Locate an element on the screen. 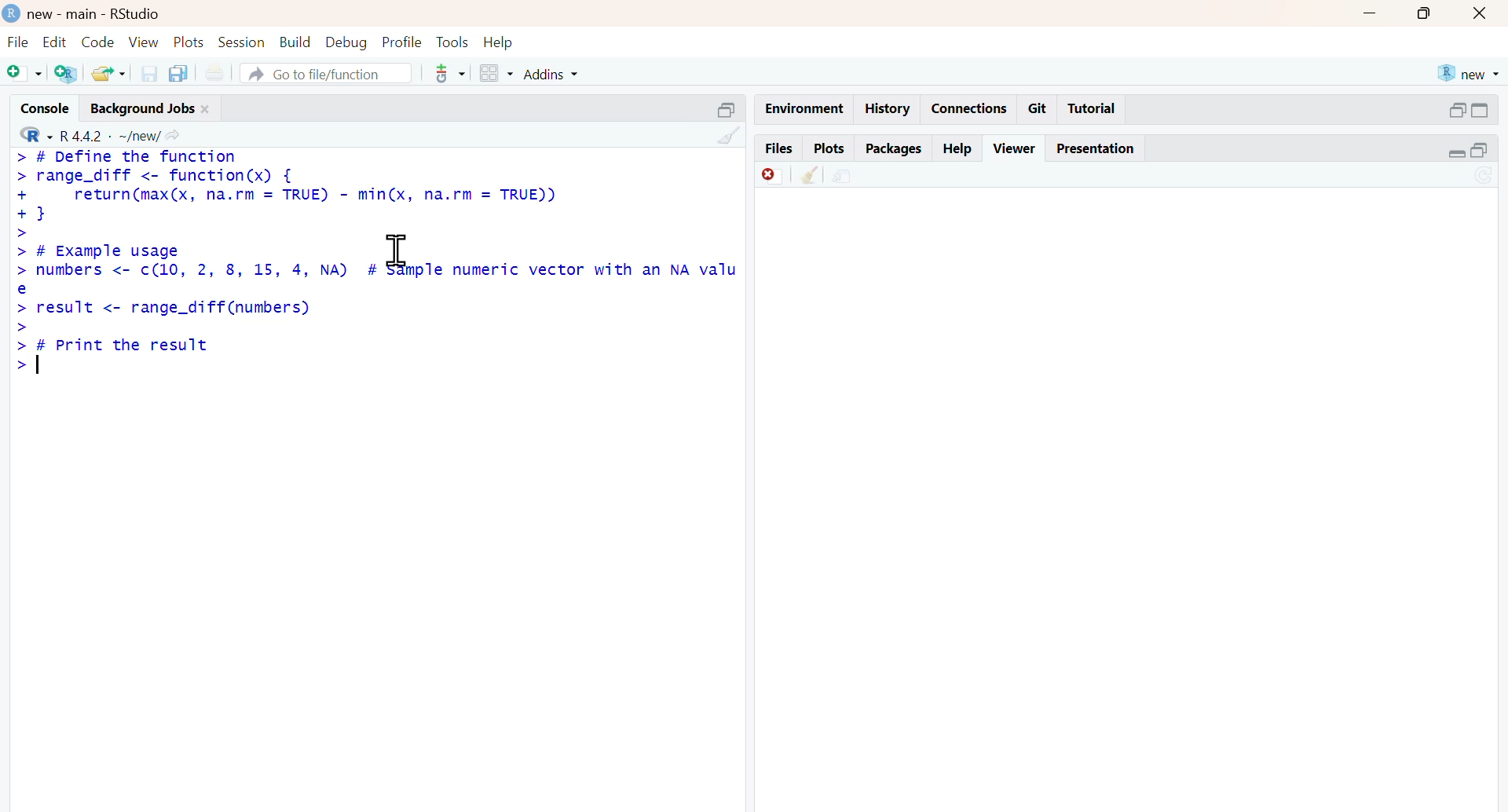 This screenshot has height=812, width=1508. maximise is located at coordinates (1426, 12).